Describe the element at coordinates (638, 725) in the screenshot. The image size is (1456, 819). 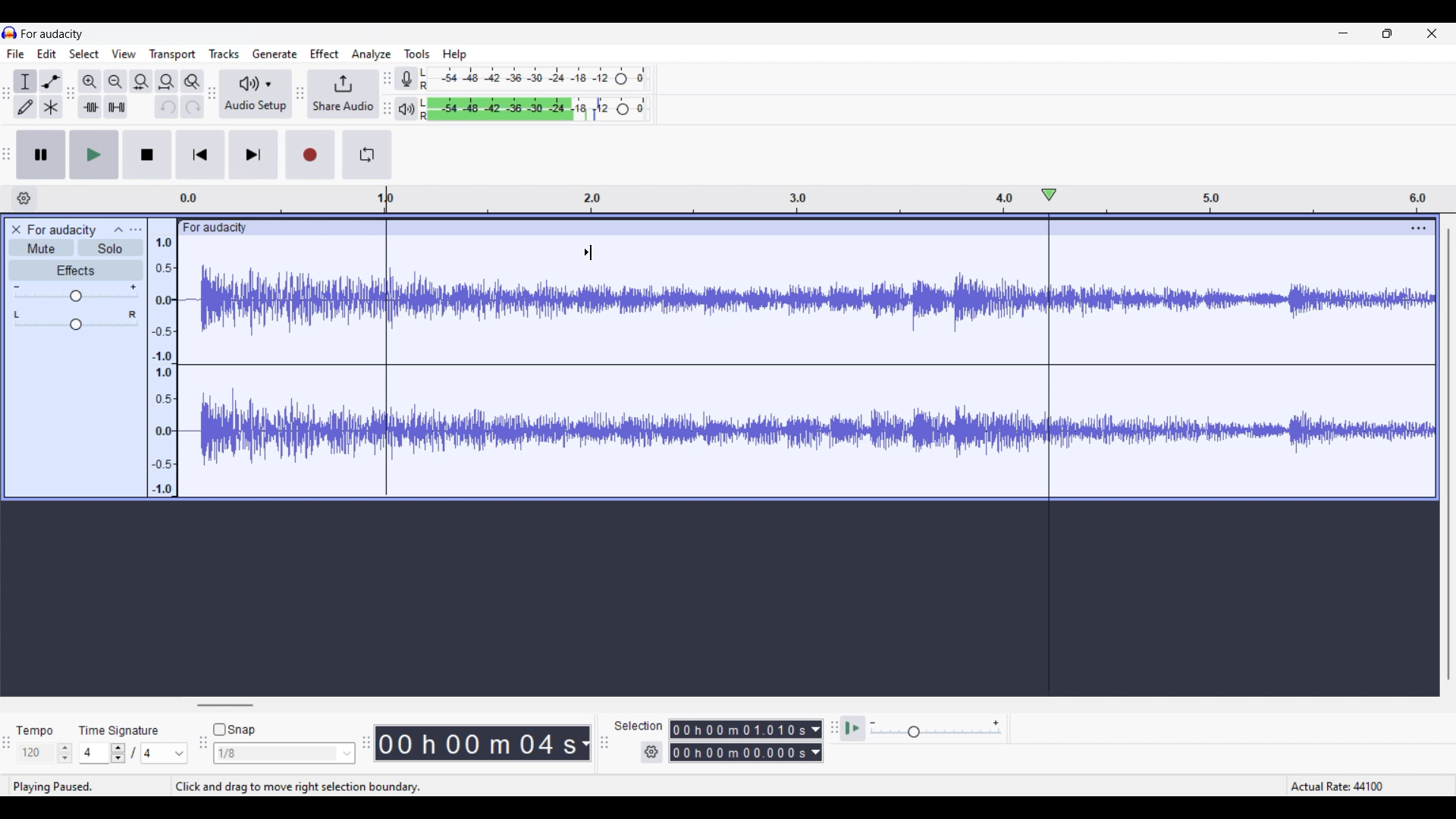
I see `selection` at that location.